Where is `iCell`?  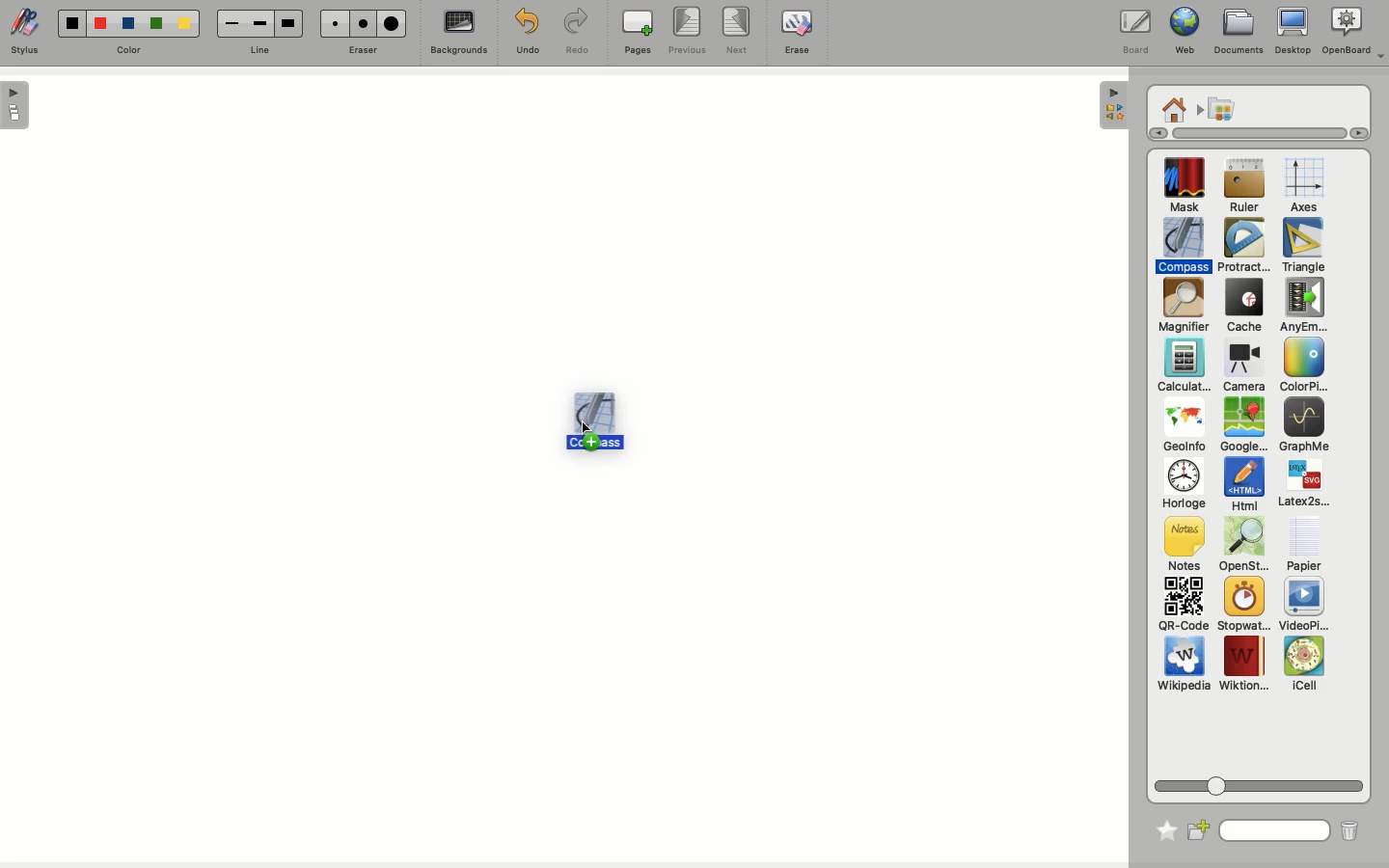
iCell is located at coordinates (1305, 665).